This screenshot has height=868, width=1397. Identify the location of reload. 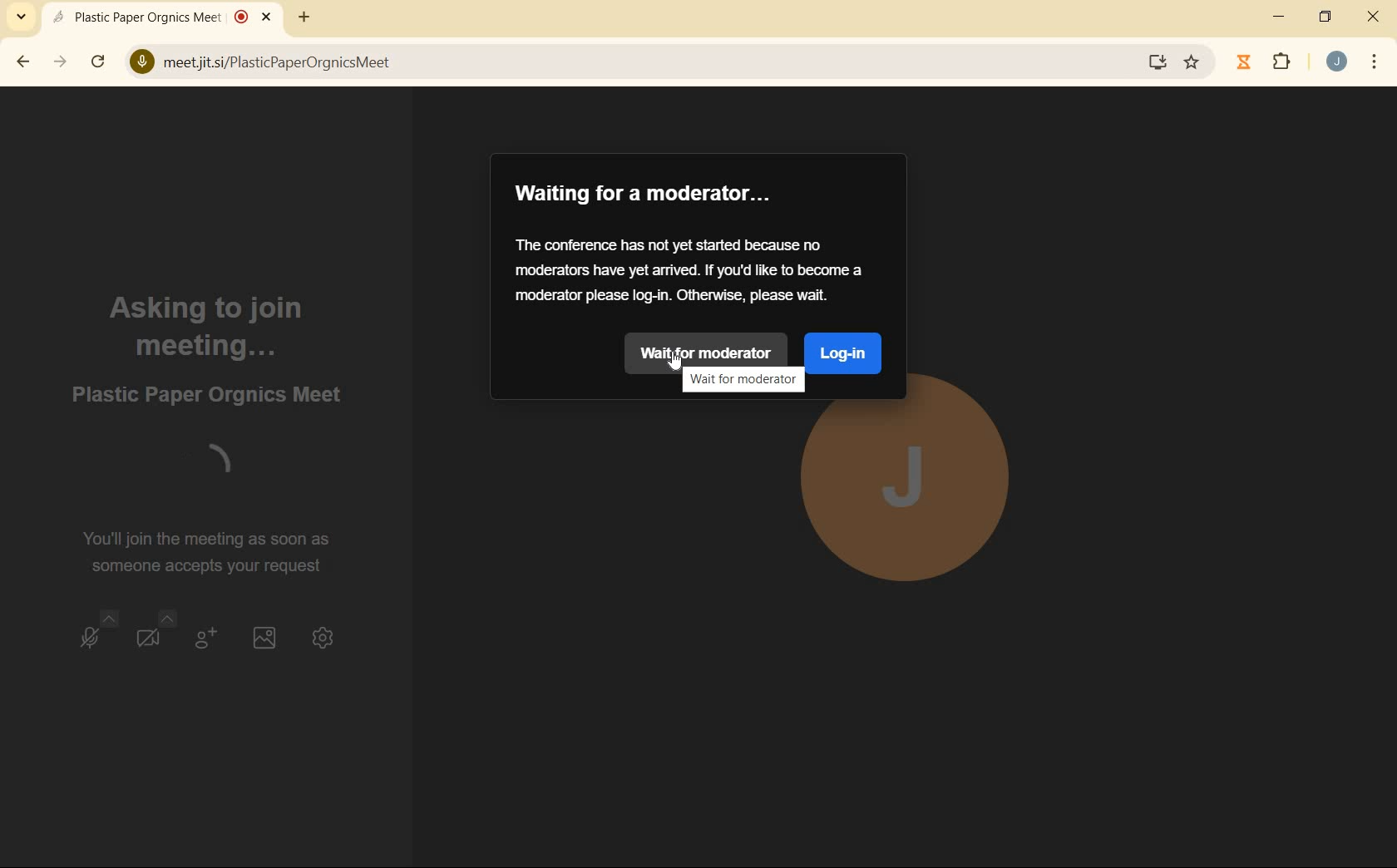
(98, 60).